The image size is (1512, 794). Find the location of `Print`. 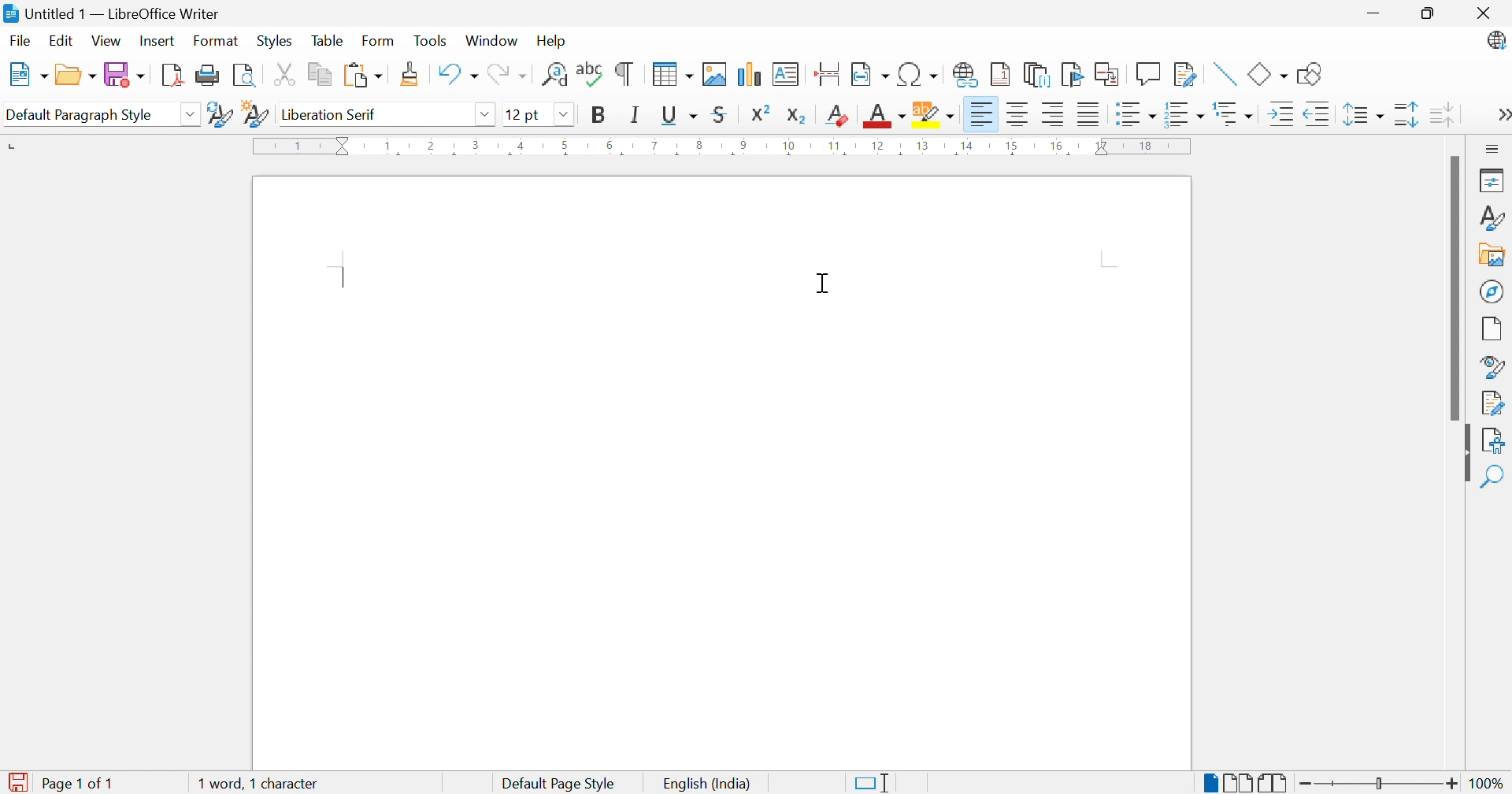

Print is located at coordinates (206, 76).